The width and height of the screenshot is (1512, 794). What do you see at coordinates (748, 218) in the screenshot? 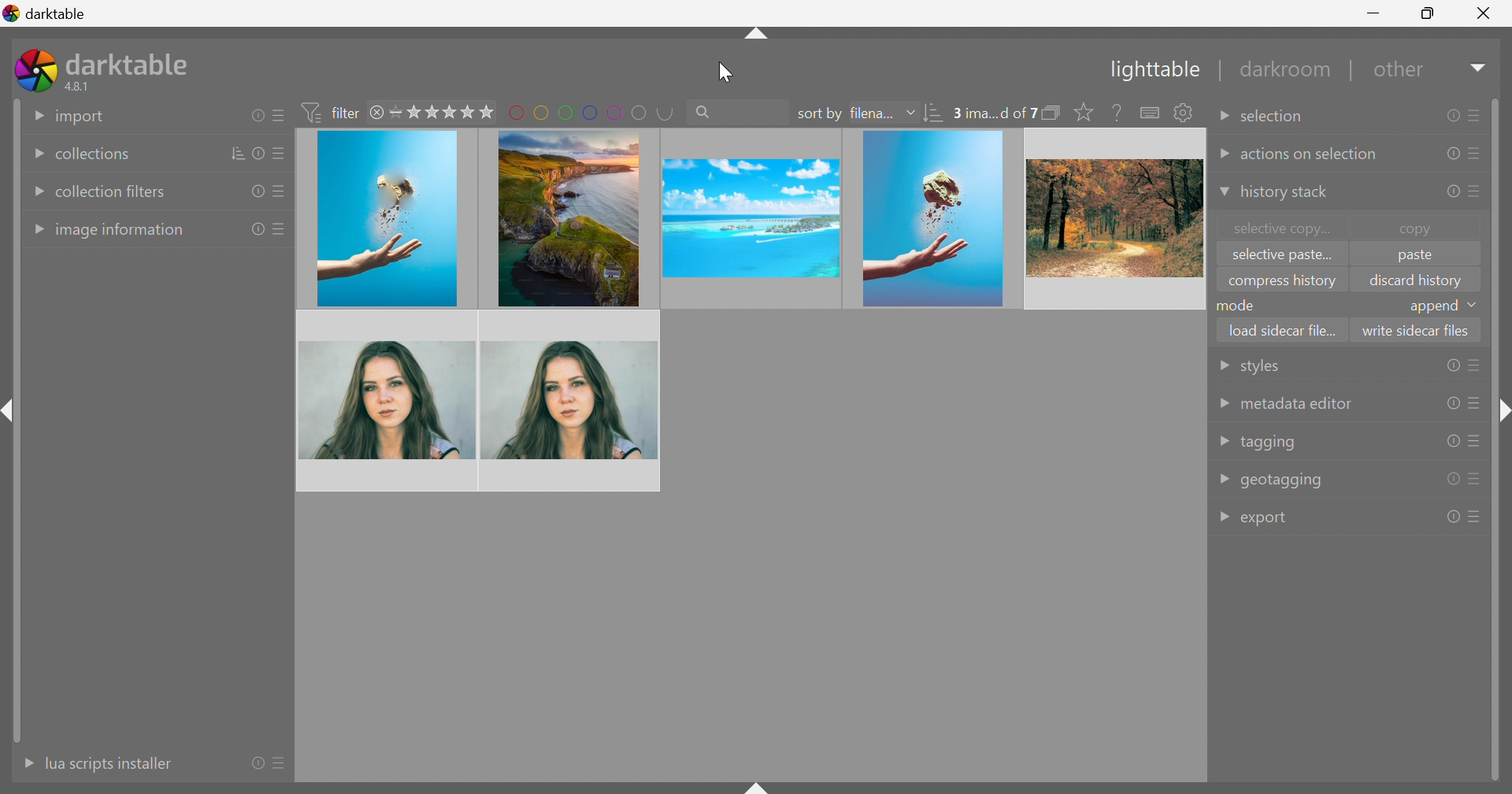
I see `image` at bounding box center [748, 218].